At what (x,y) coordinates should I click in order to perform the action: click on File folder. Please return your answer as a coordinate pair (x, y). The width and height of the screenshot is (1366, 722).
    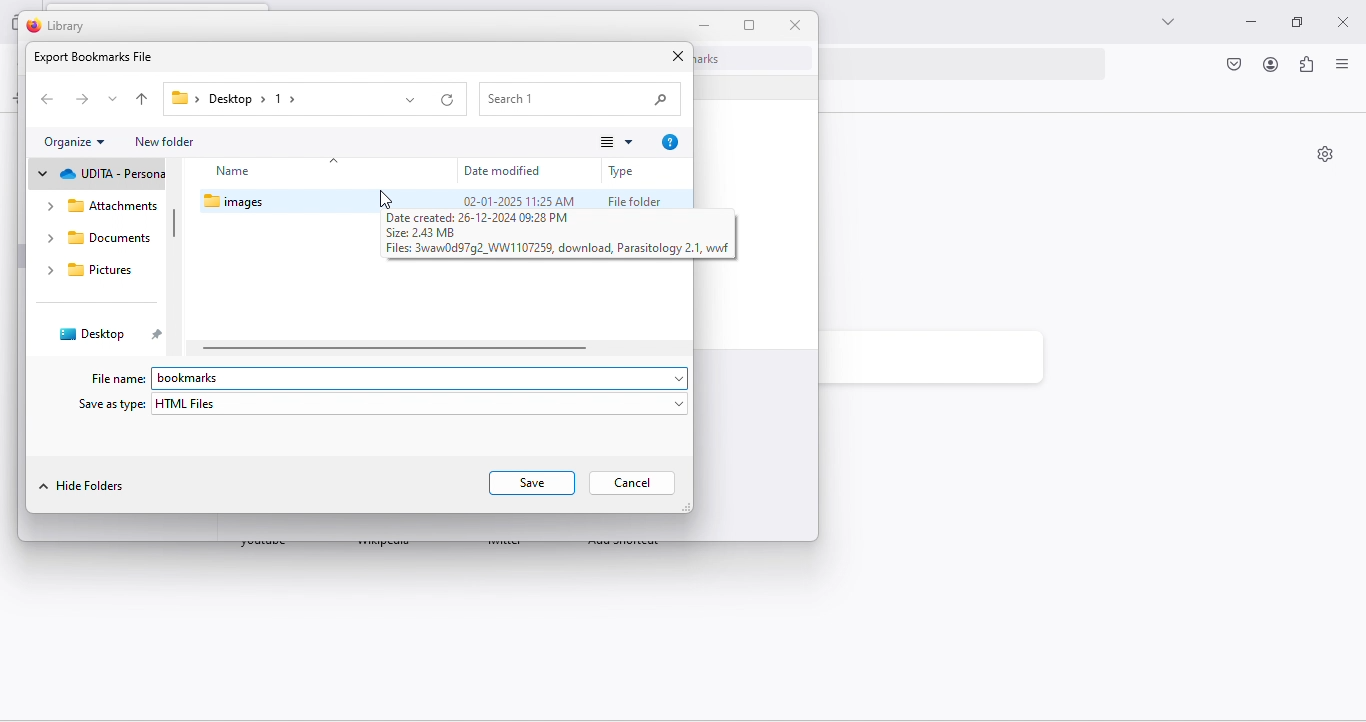
    Looking at the image, I should click on (635, 201).